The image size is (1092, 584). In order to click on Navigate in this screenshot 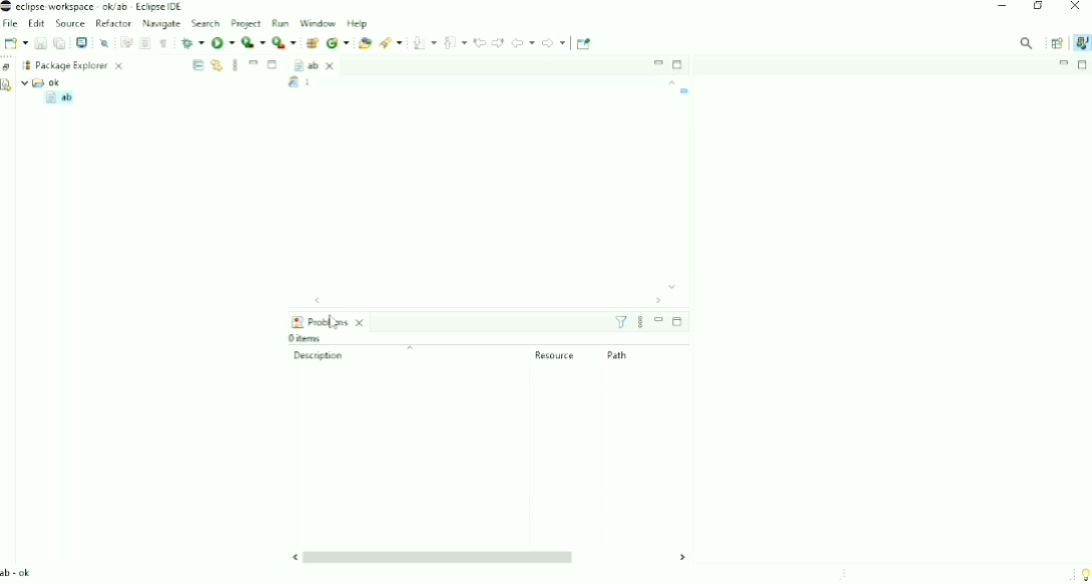, I will do `click(161, 24)`.